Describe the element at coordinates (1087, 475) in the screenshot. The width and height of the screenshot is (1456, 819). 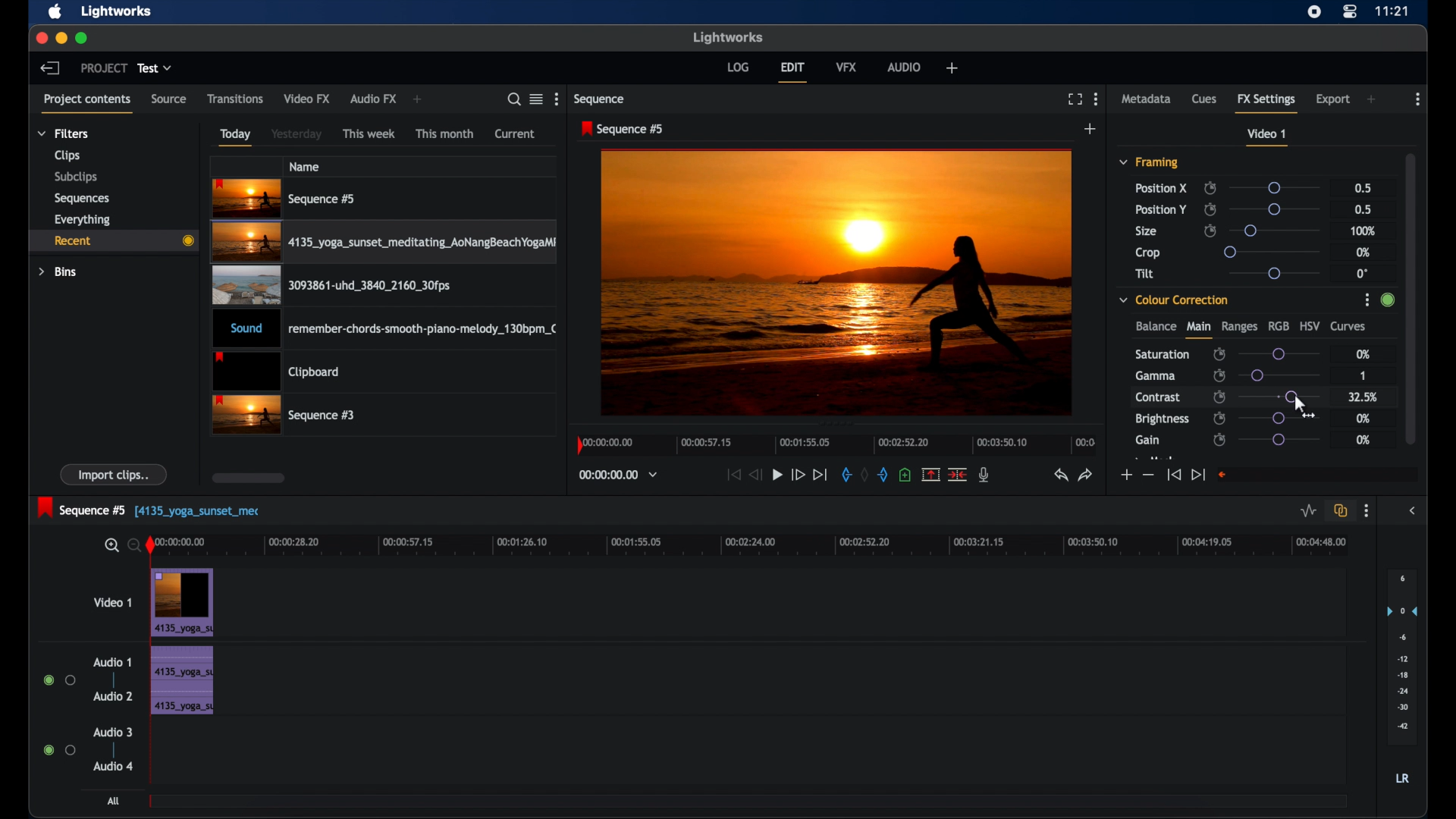
I see `redo` at that location.